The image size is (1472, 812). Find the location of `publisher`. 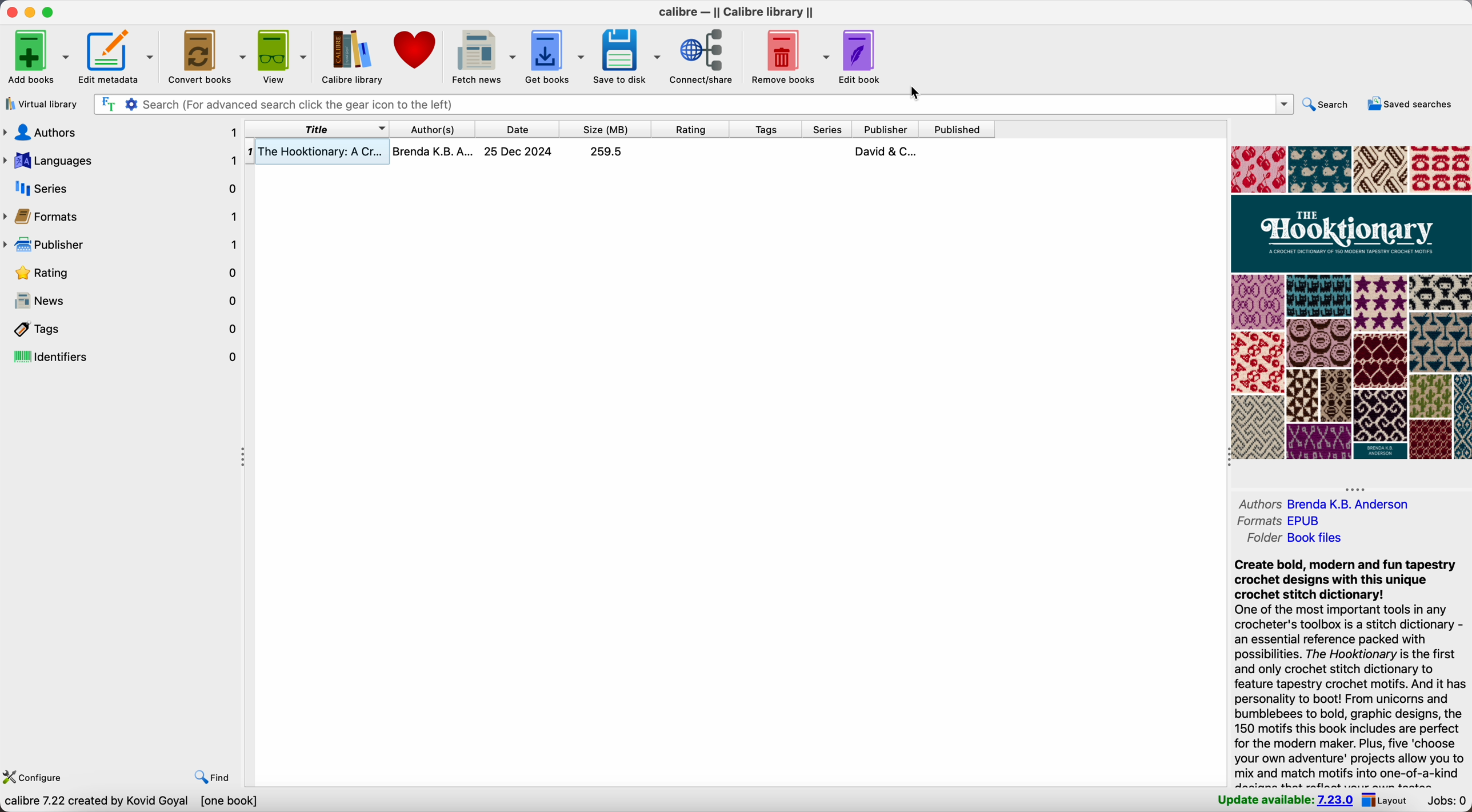

publisher is located at coordinates (889, 129).